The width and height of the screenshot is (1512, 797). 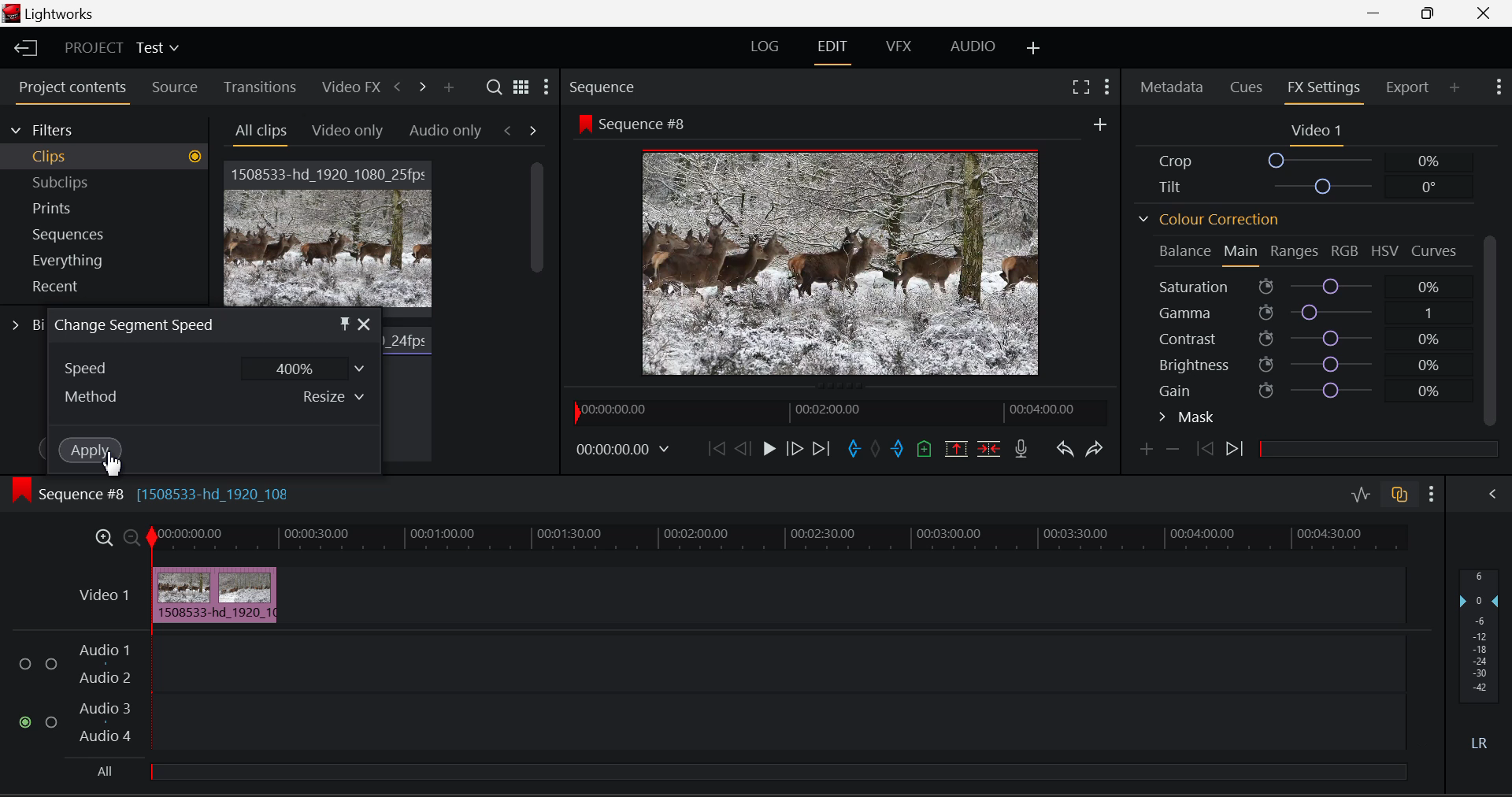 What do you see at coordinates (1320, 88) in the screenshot?
I see `FX Settings` at bounding box center [1320, 88].